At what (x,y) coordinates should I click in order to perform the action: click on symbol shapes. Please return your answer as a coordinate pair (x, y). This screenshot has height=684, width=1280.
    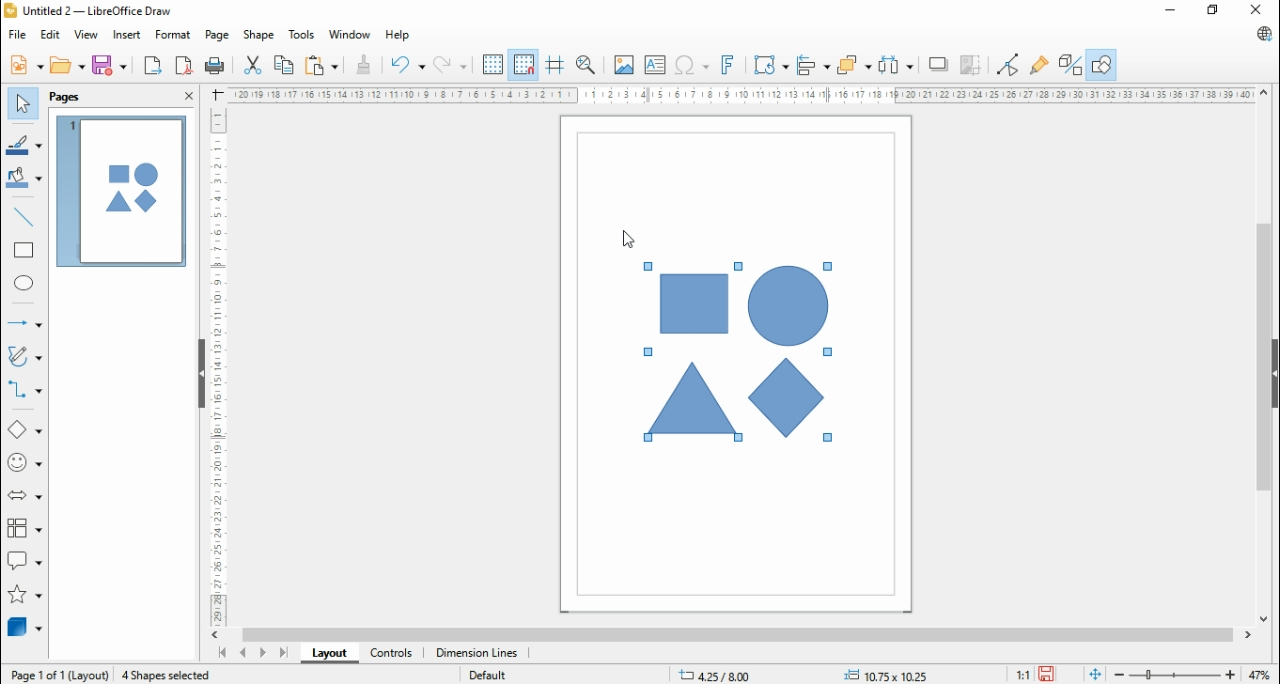
    Looking at the image, I should click on (27, 462).